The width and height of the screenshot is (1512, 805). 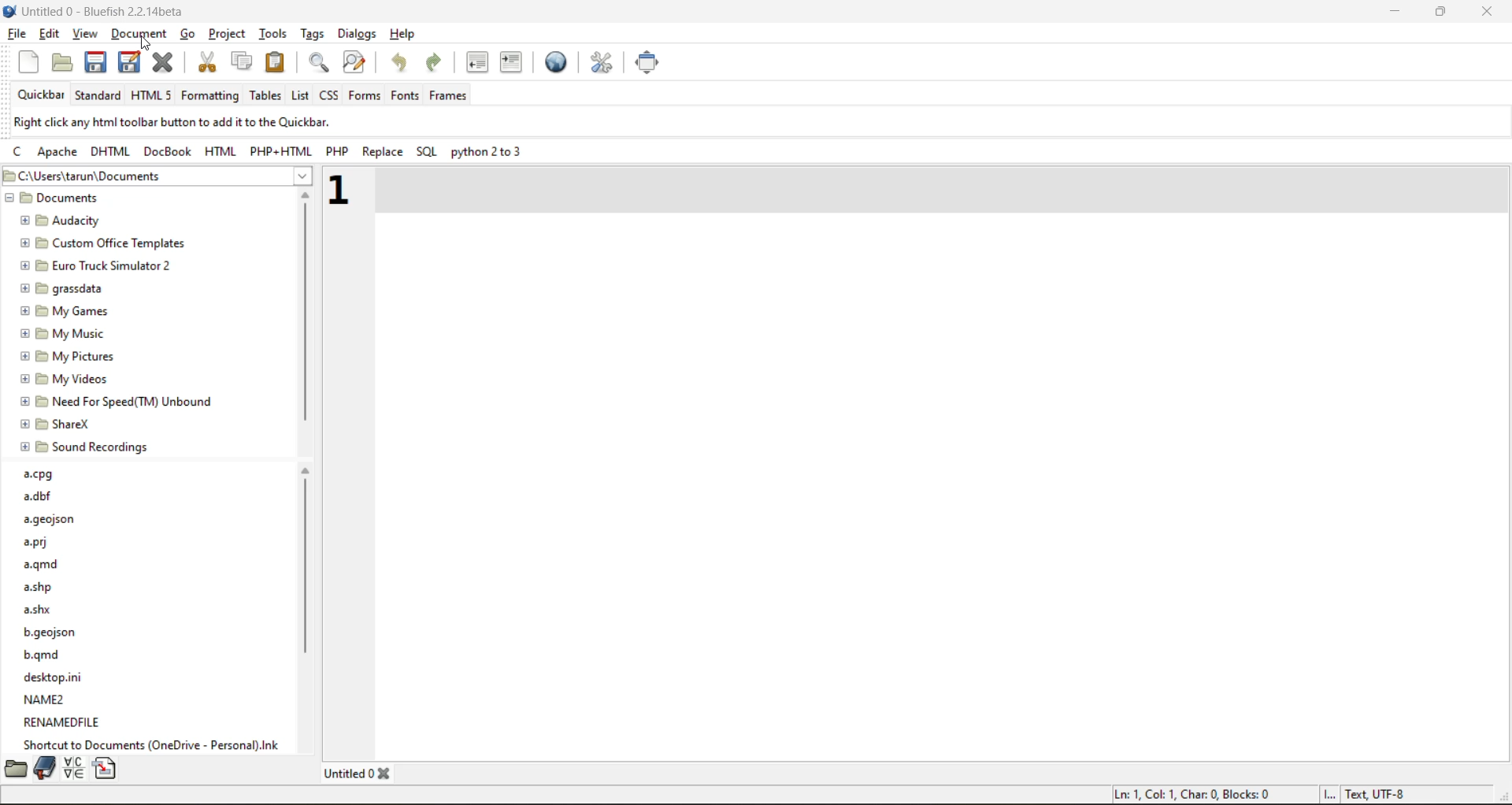 What do you see at coordinates (188, 34) in the screenshot?
I see `go` at bounding box center [188, 34].